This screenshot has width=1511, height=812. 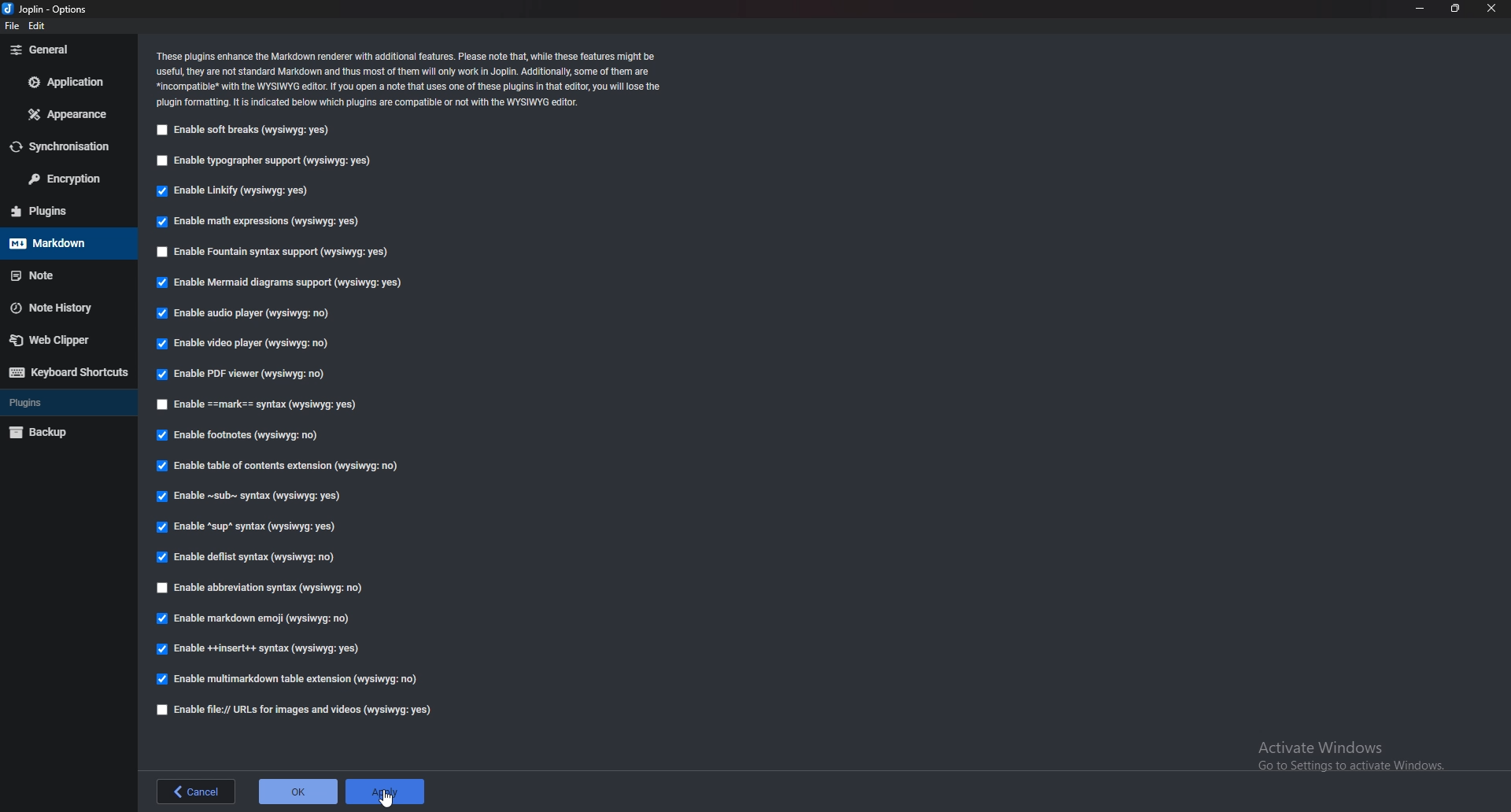 What do you see at coordinates (271, 589) in the screenshot?
I see `Enable abbrevation Syntax` at bounding box center [271, 589].